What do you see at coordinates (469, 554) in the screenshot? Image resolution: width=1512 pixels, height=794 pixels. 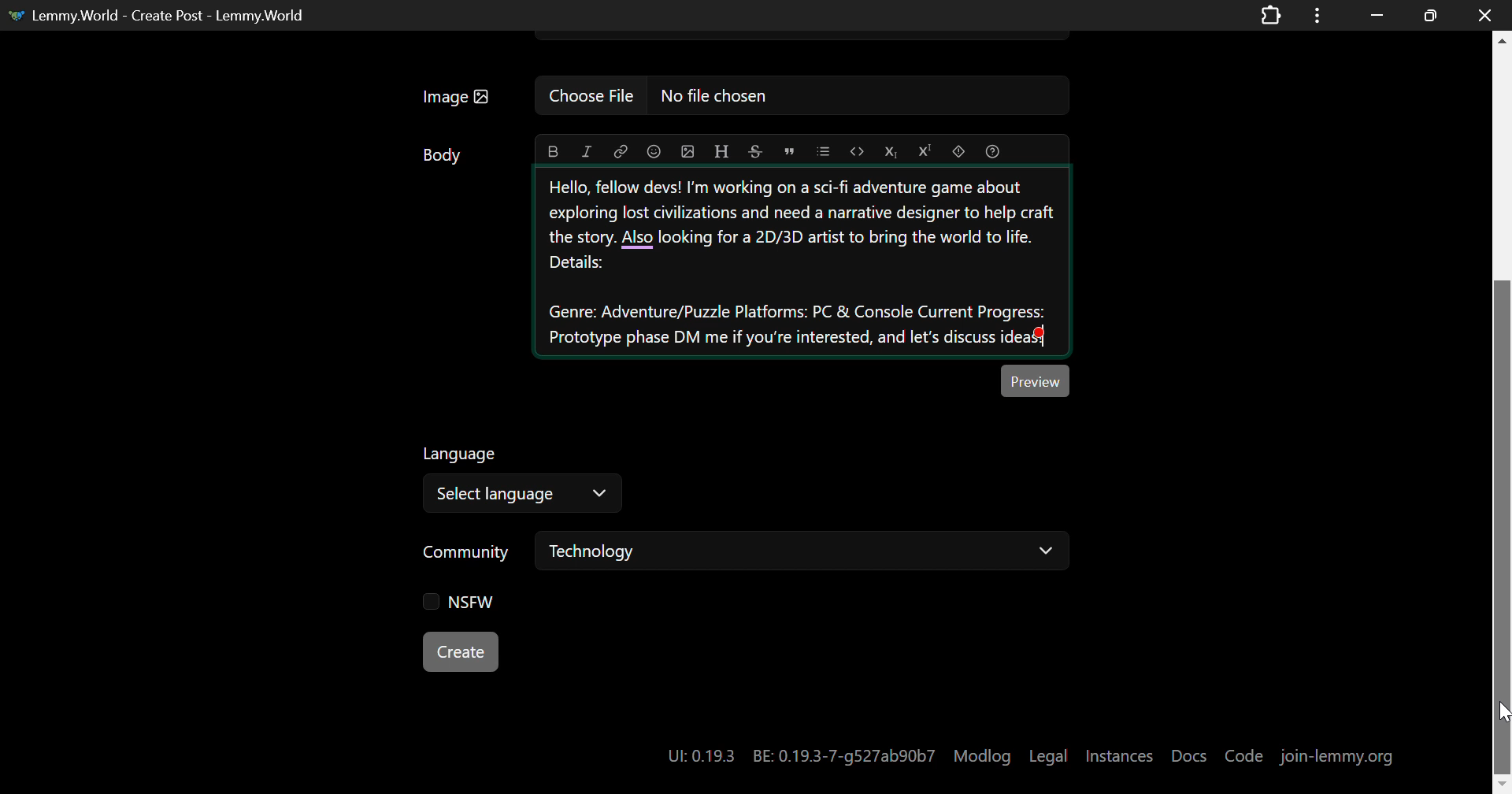 I see `Community` at bounding box center [469, 554].